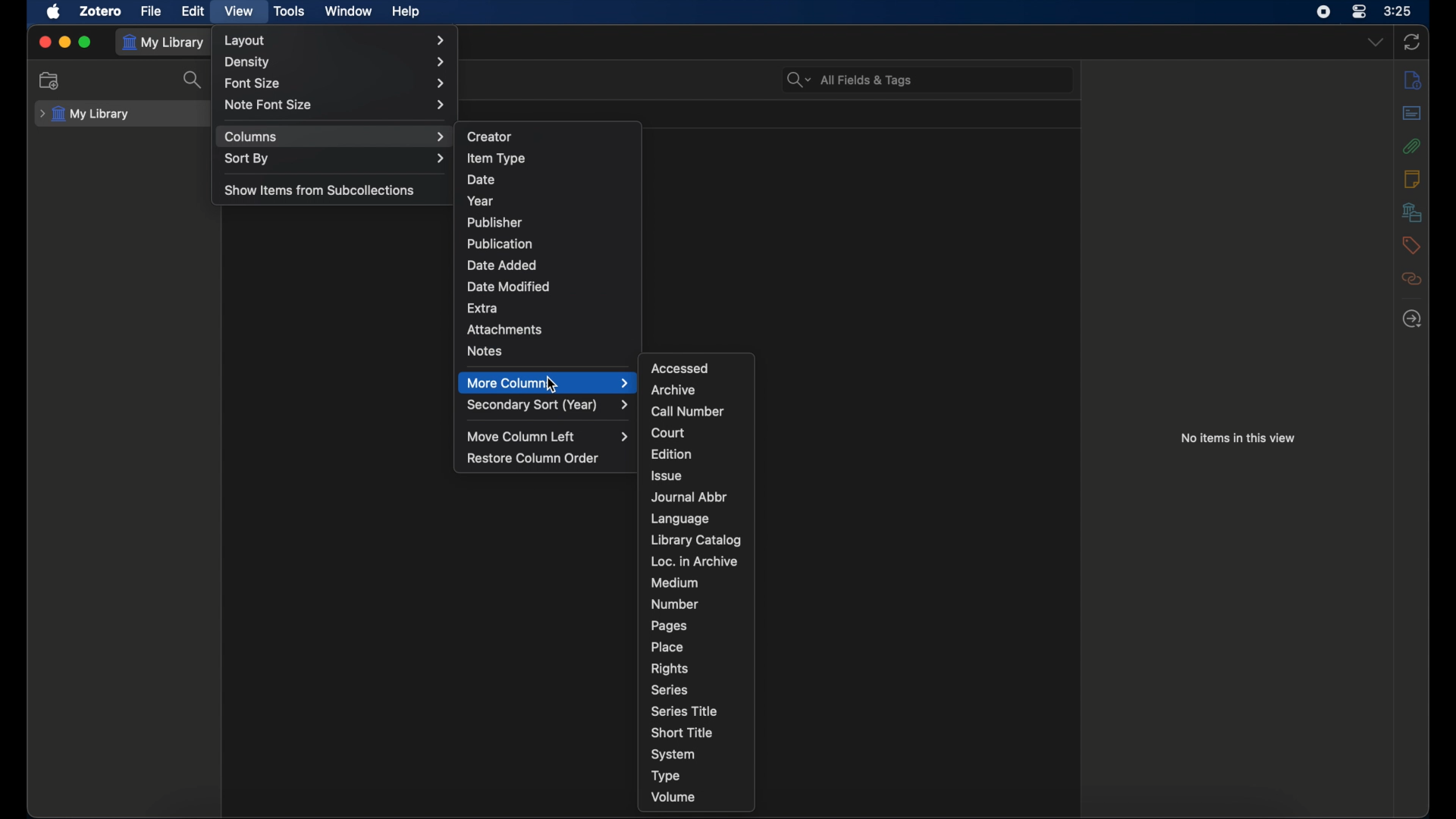 The height and width of the screenshot is (819, 1456). What do you see at coordinates (194, 81) in the screenshot?
I see `search` at bounding box center [194, 81].